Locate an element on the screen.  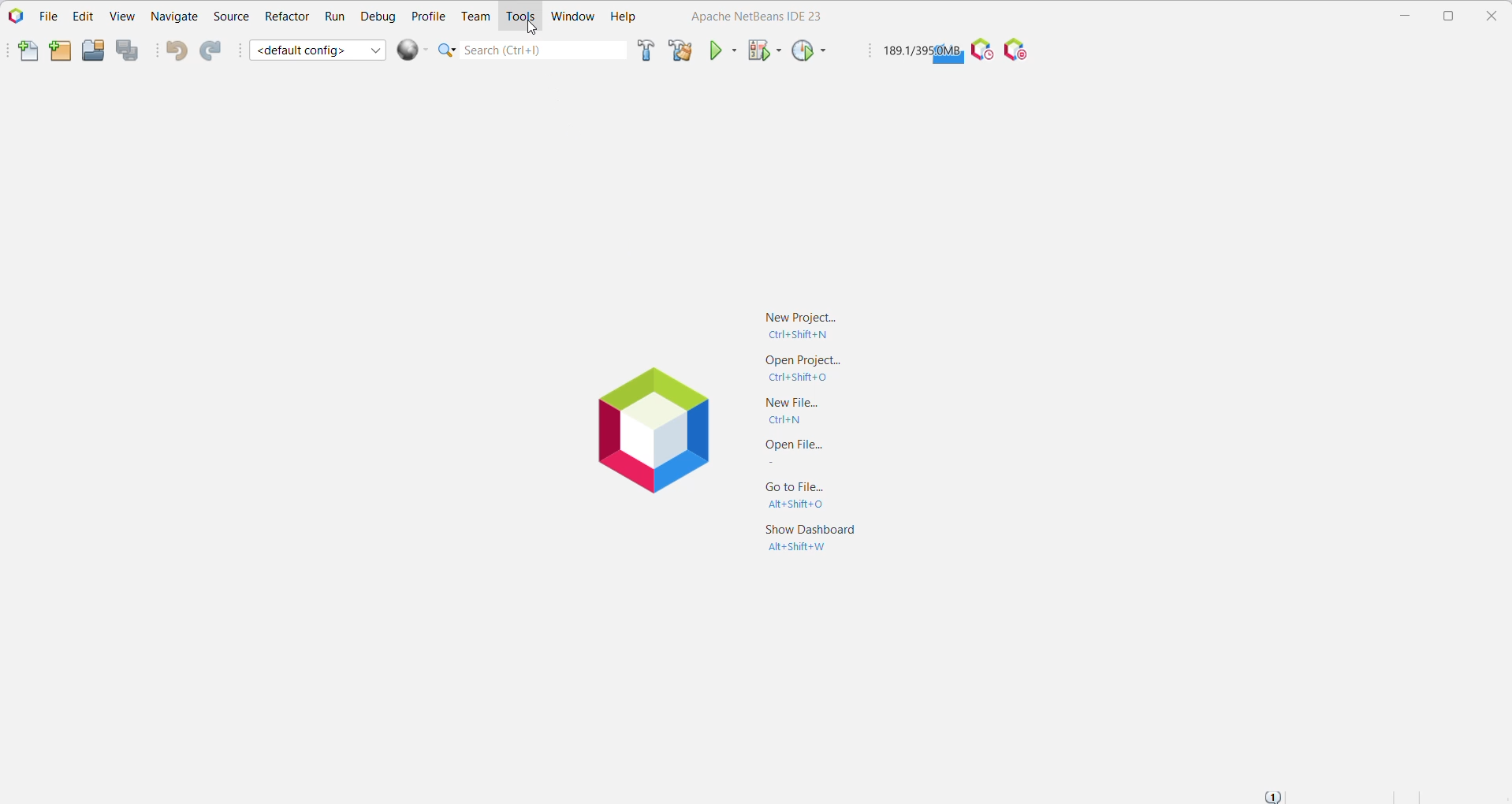
Debug is located at coordinates (377, 17).